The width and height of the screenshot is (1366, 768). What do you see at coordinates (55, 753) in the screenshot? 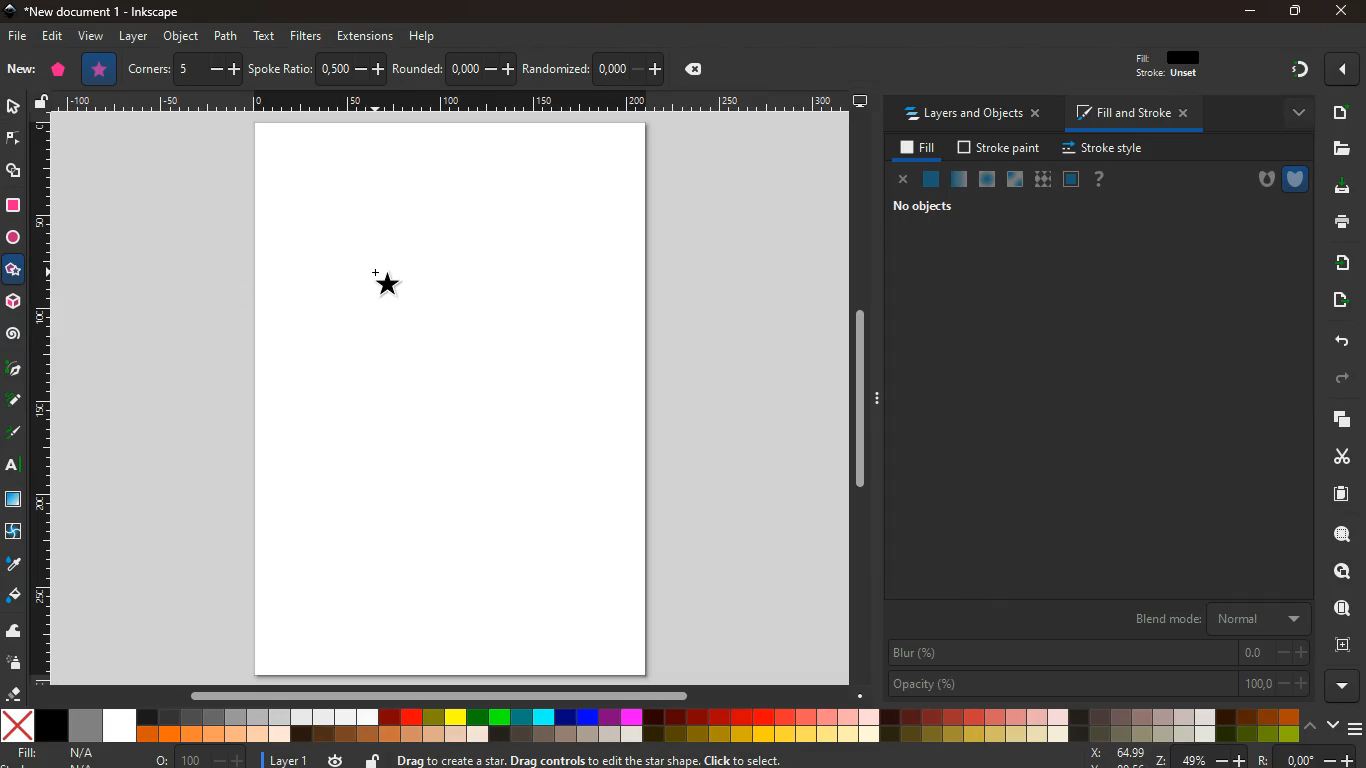
I see `fill` at bounding box center [55, 753].